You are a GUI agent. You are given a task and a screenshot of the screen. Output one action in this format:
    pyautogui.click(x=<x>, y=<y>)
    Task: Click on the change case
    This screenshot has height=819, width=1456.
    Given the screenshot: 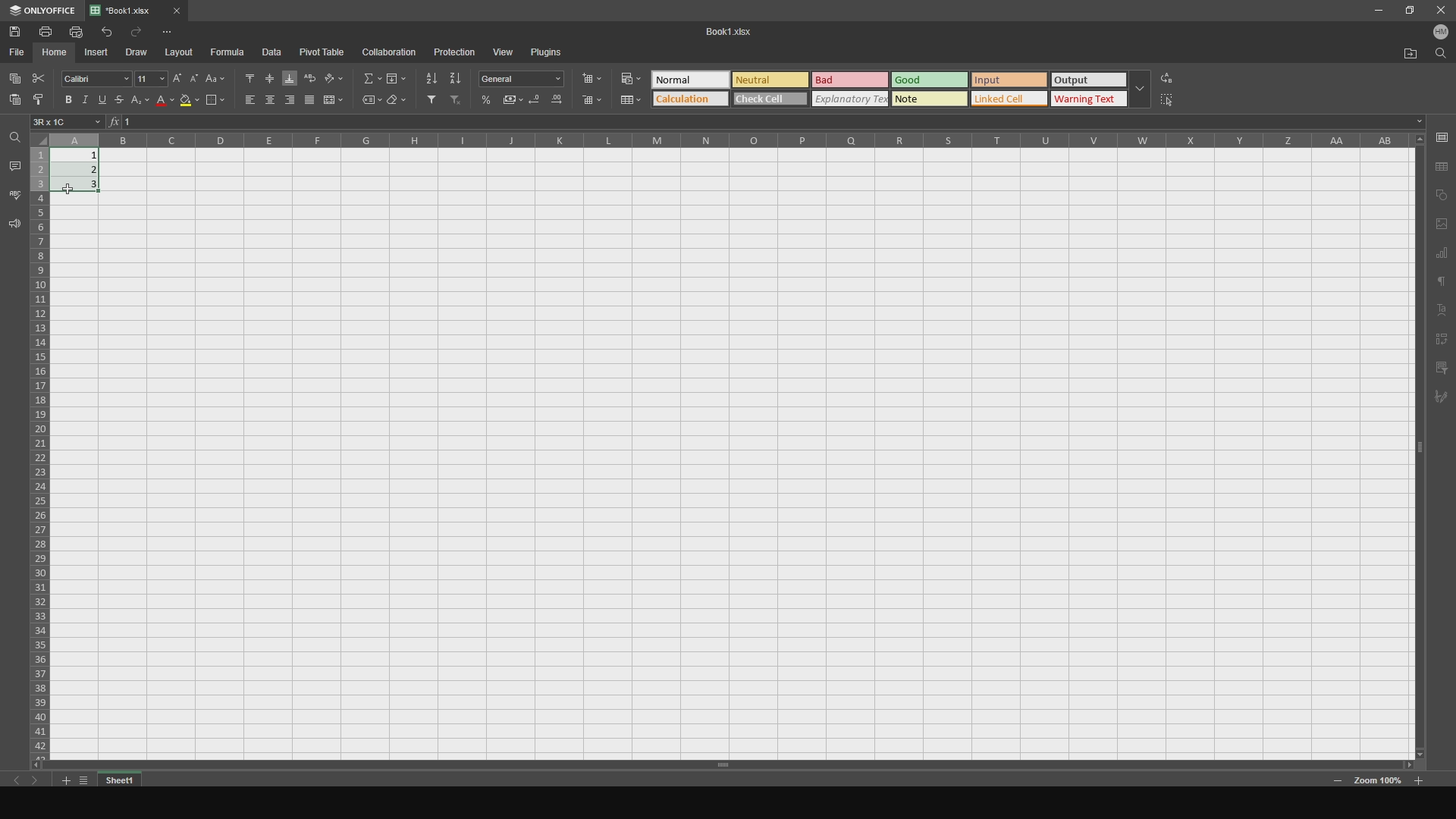 What is the action you would take?
    pyautogui.click(x=215, y=76)
    